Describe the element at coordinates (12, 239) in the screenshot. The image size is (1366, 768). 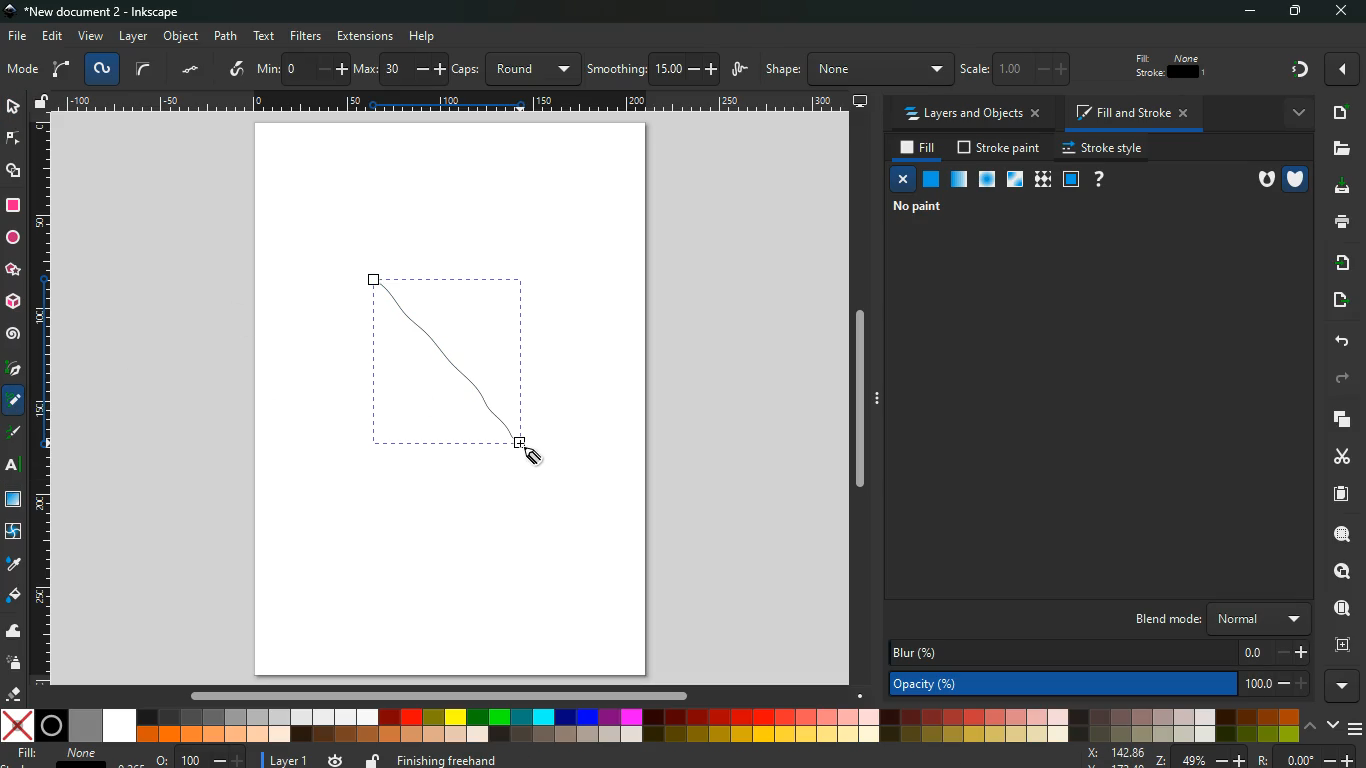
I see `circle` at that location.